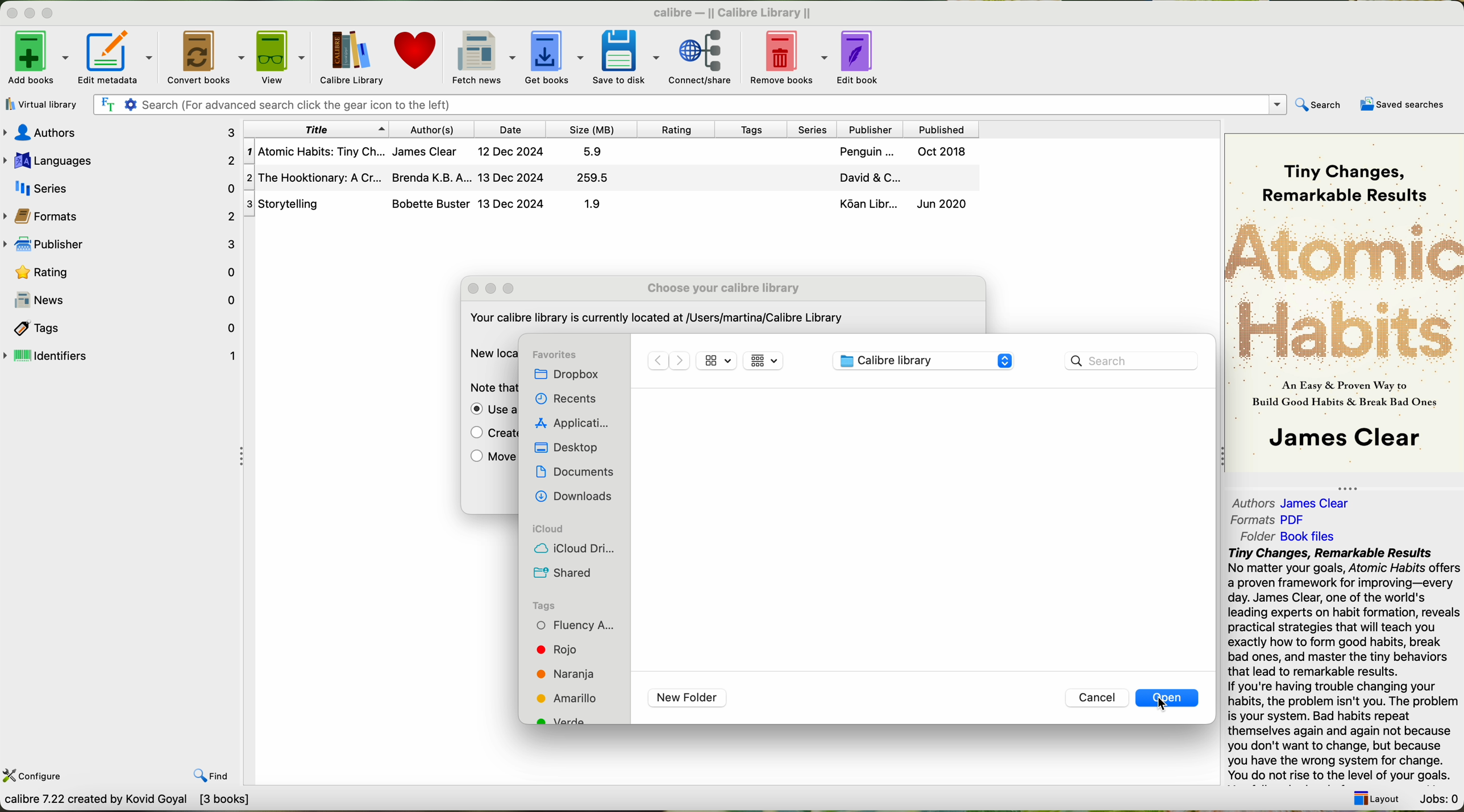  Describe the element at coordinates (1218, 458) in the screenshot. I see `collapse` at that location.